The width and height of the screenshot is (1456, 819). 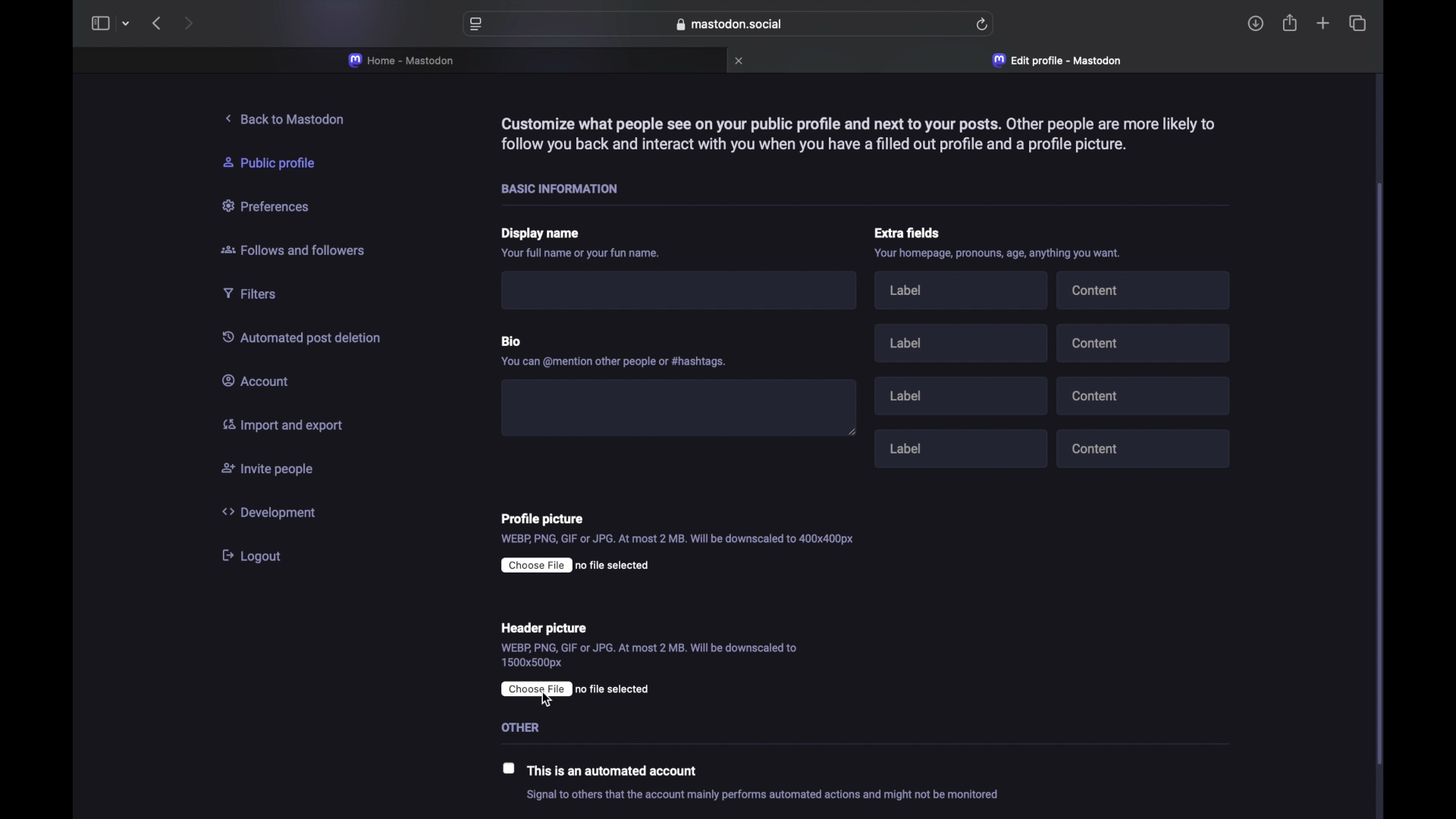 I want to click on , so click(x=532, y=726).